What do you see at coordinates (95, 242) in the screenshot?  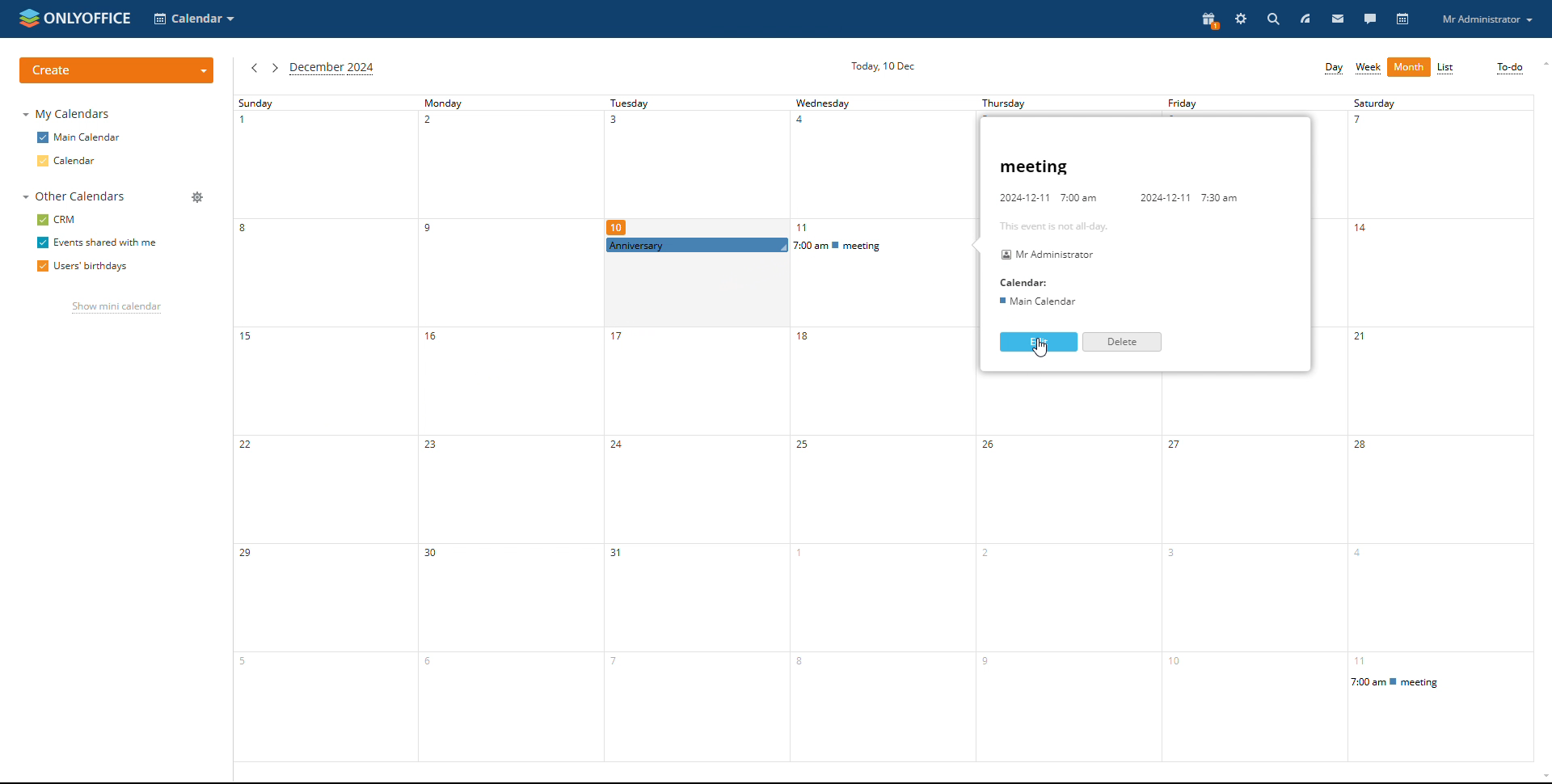 I see `events shared with me` at bounding box center [95, 242].